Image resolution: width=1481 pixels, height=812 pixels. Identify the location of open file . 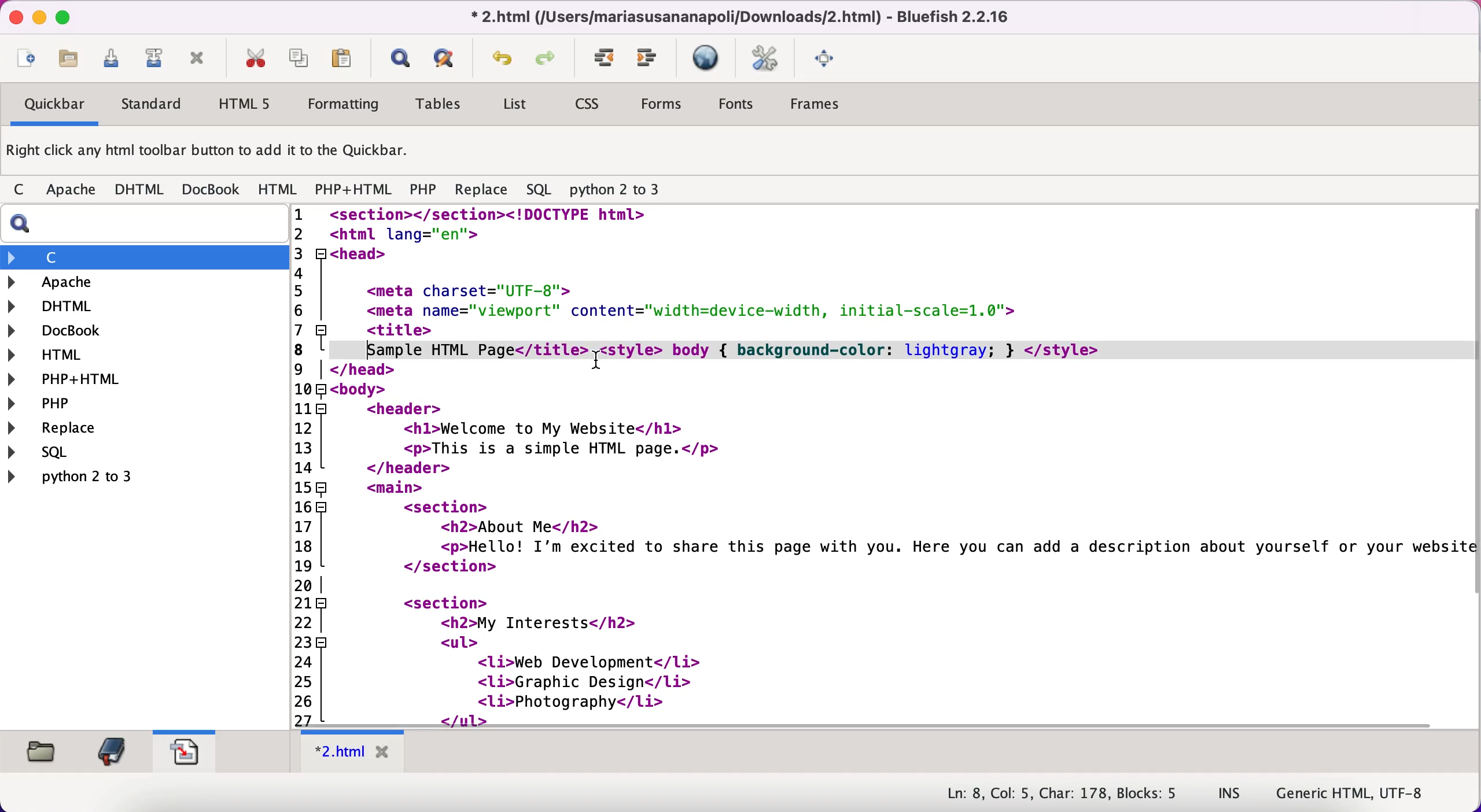
(74, 62).